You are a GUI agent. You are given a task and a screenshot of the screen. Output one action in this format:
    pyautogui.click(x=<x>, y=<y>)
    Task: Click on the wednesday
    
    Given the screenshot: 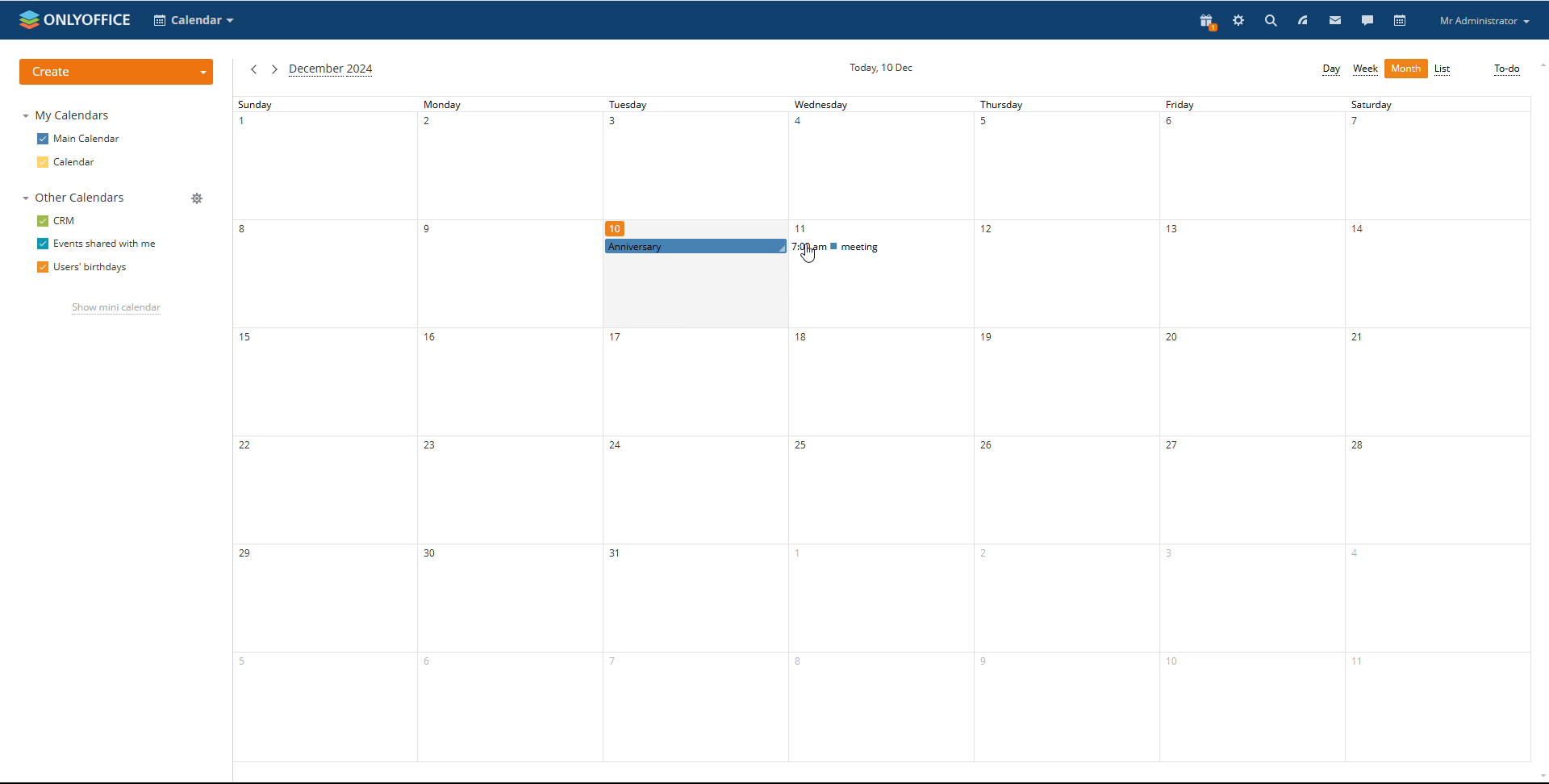 What is the action you would take?
    pyautogui.click(x=879, y=168)
    